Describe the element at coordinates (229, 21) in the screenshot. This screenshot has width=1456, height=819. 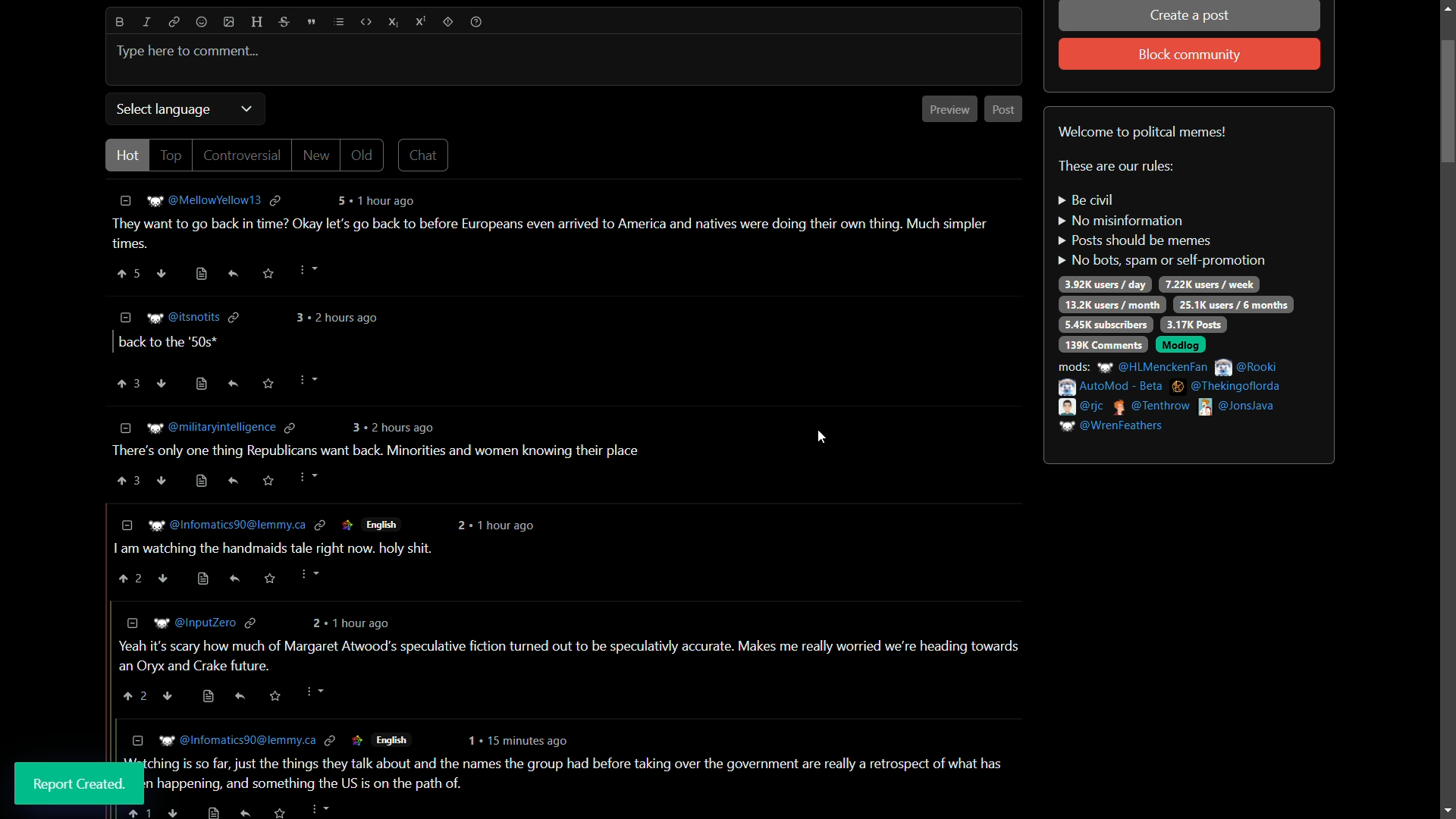
I see `image` at that location.